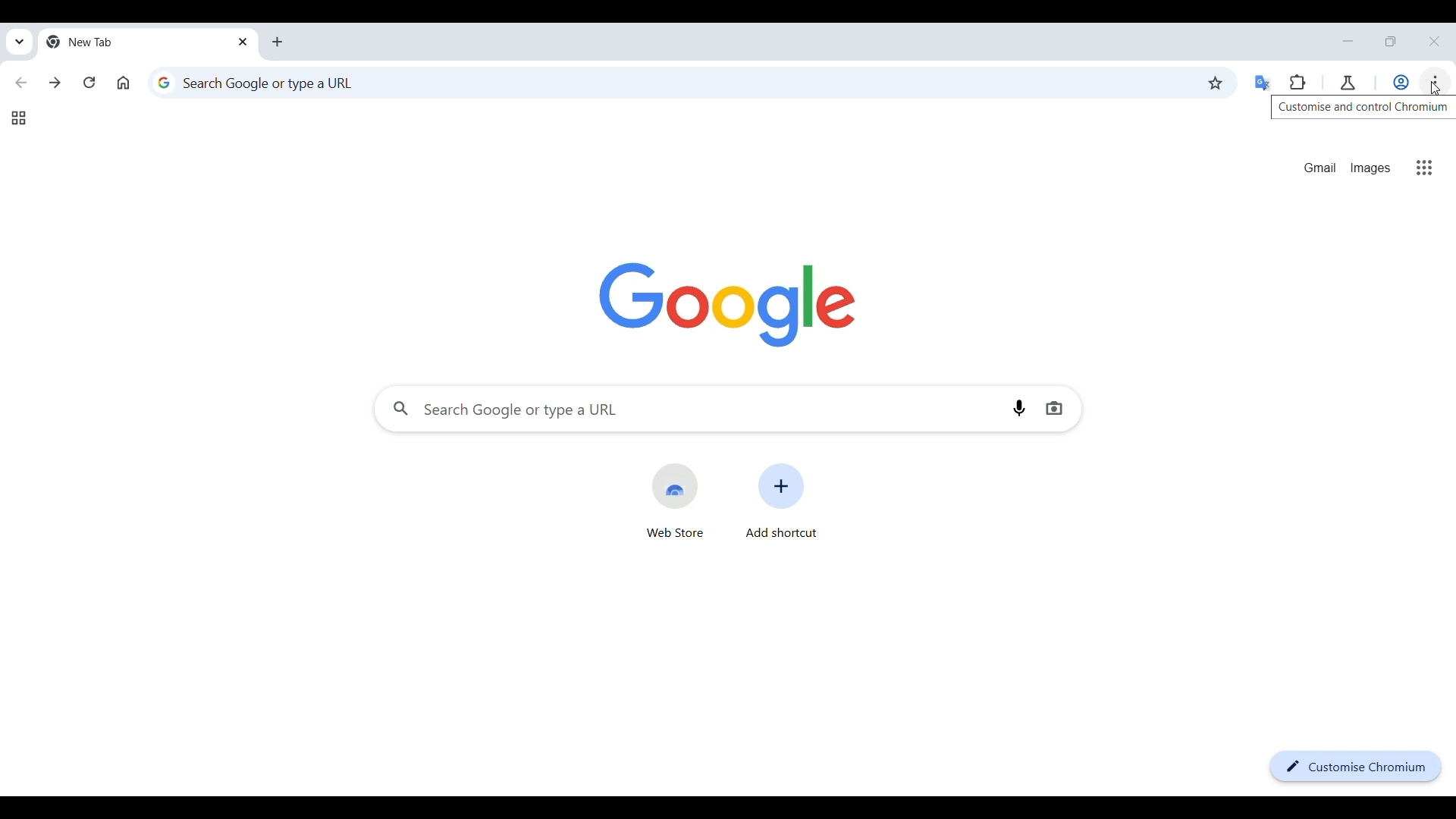  I want to click on Close tab, so click(245, 41).